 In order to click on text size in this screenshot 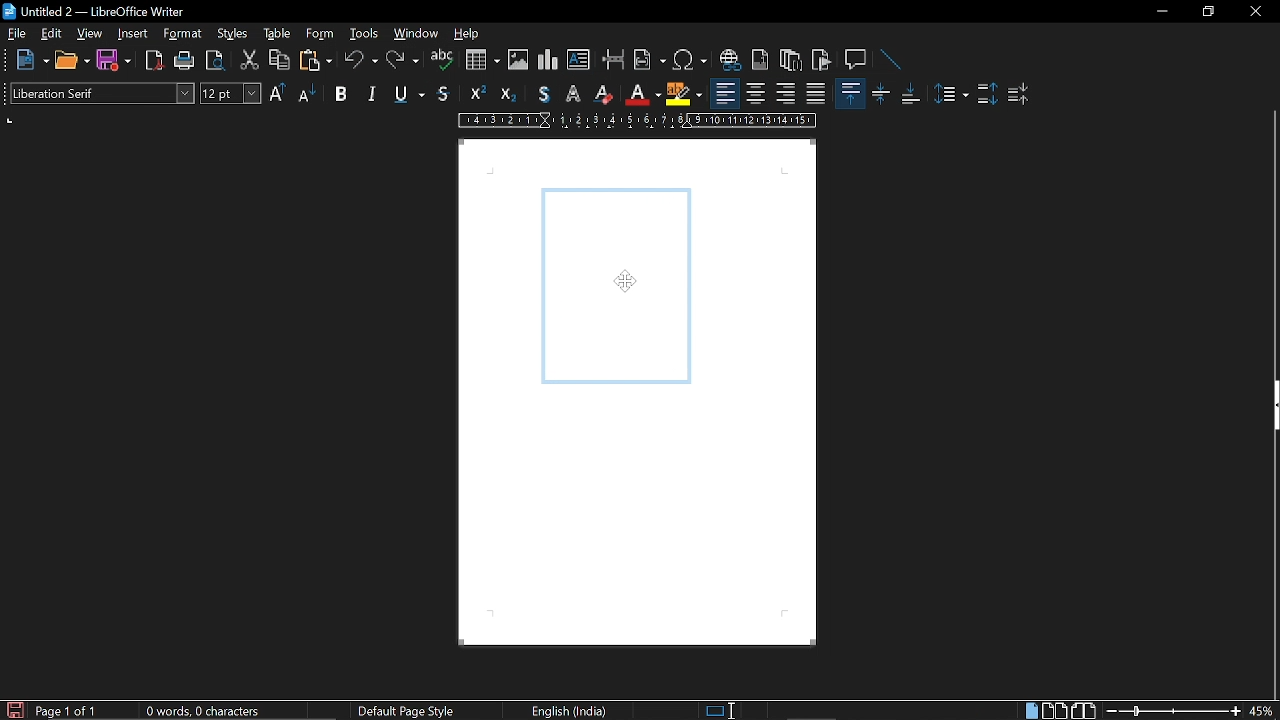, I will do `click(230, 94)`.